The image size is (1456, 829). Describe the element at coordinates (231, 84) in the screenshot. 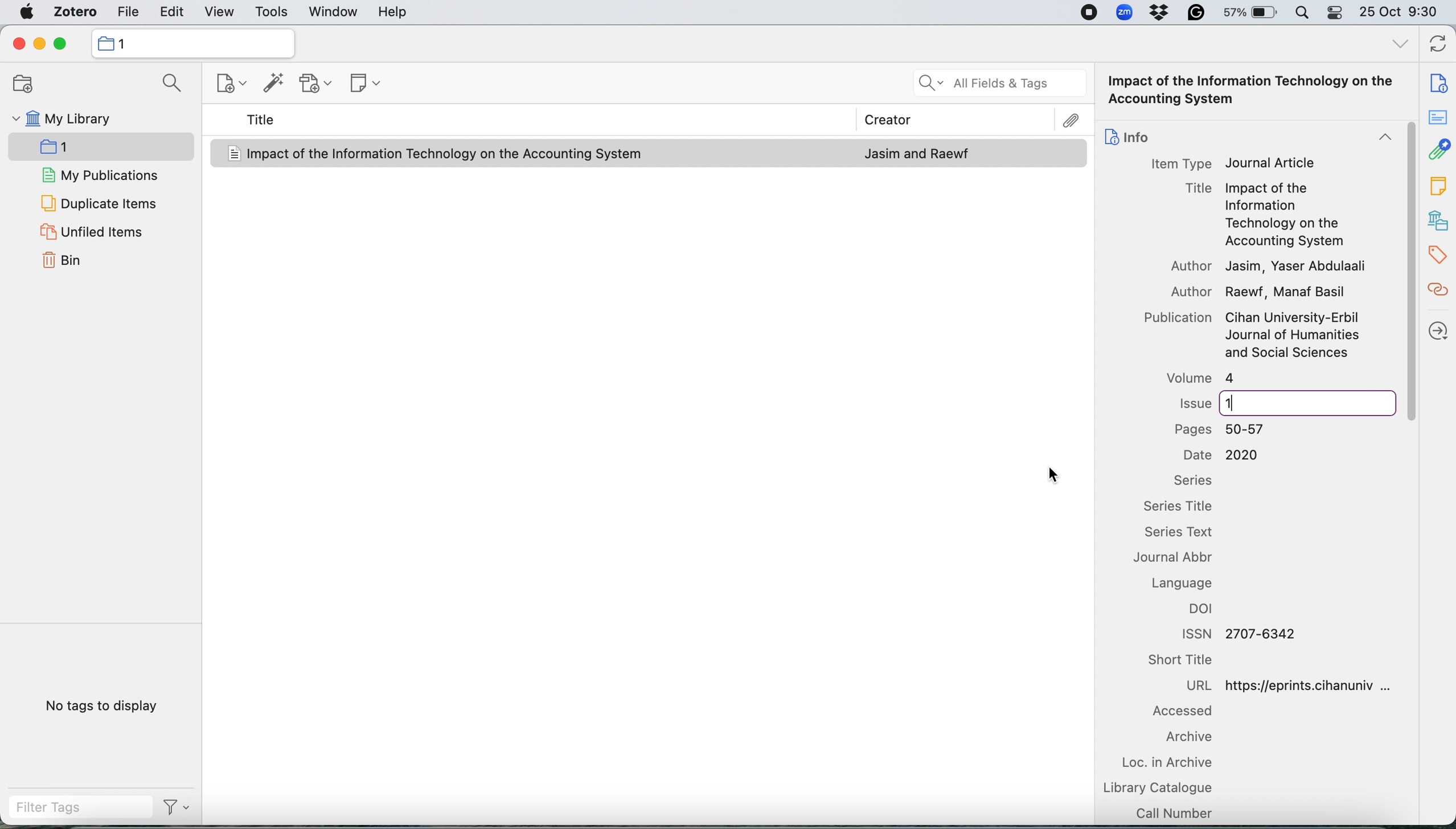

I see `new item` at that location.